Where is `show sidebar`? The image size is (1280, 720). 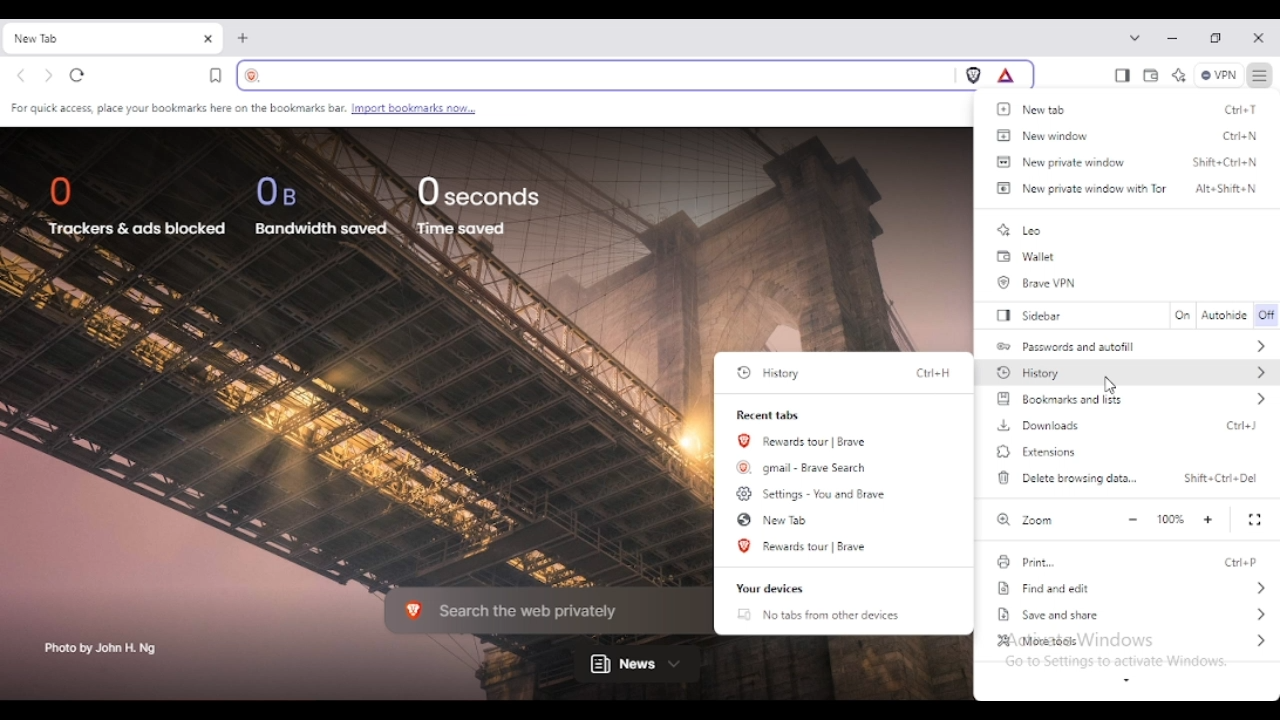 show sidebar is located at coordinates (1122, 76).